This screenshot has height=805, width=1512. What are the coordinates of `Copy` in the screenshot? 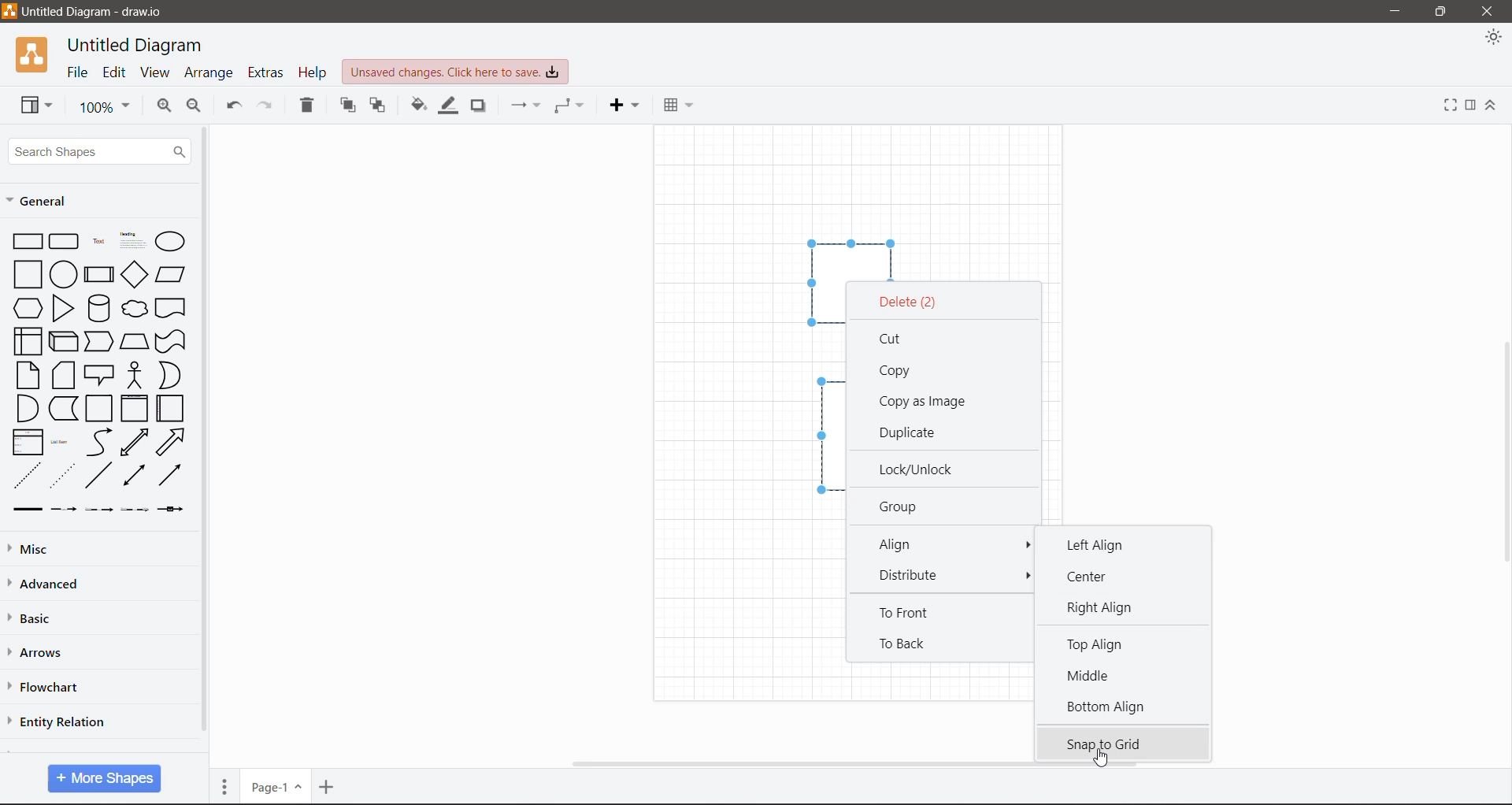 It's located at (898, 372).